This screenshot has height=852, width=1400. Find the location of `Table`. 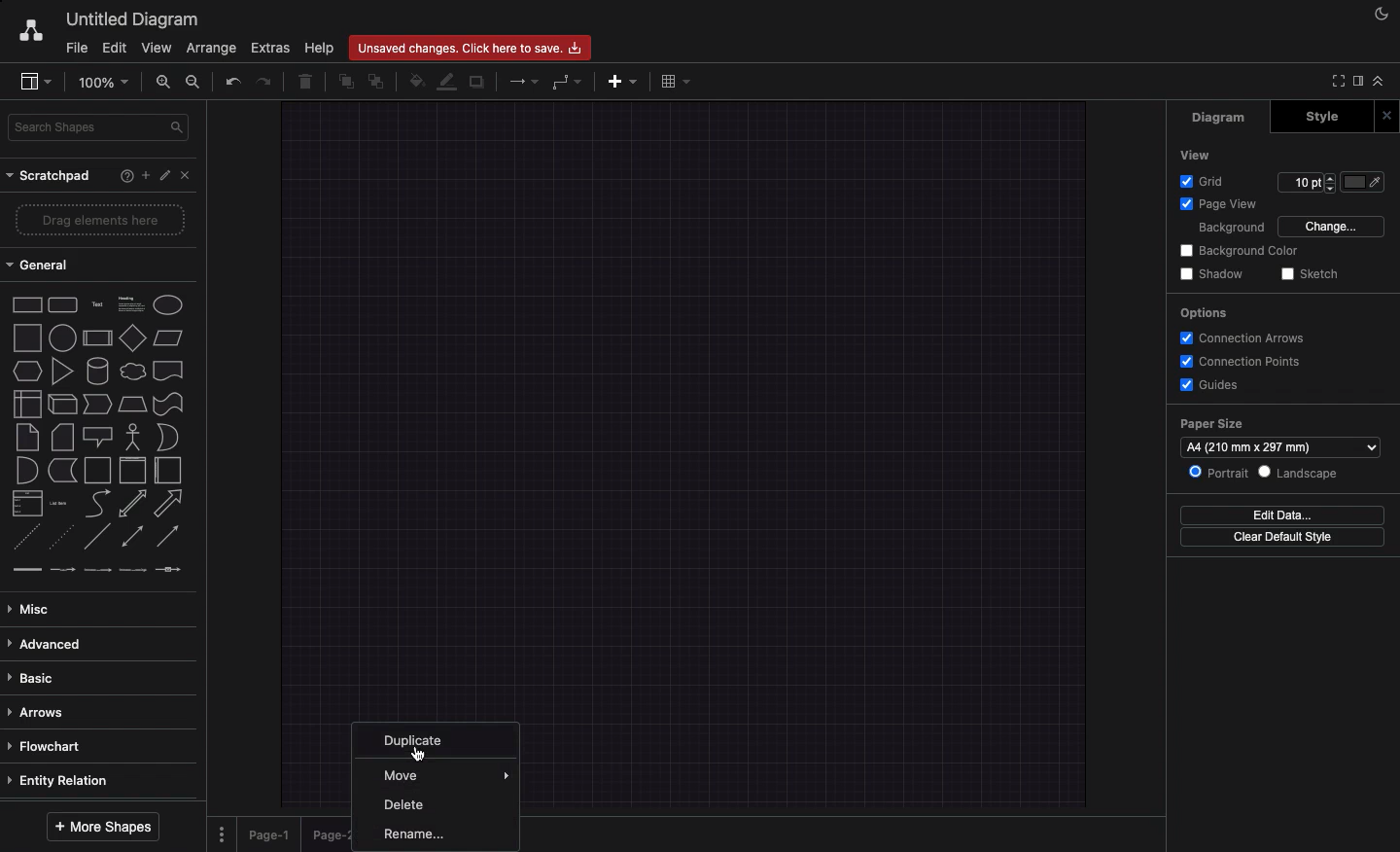

Table is located at coordinates (678, 81).